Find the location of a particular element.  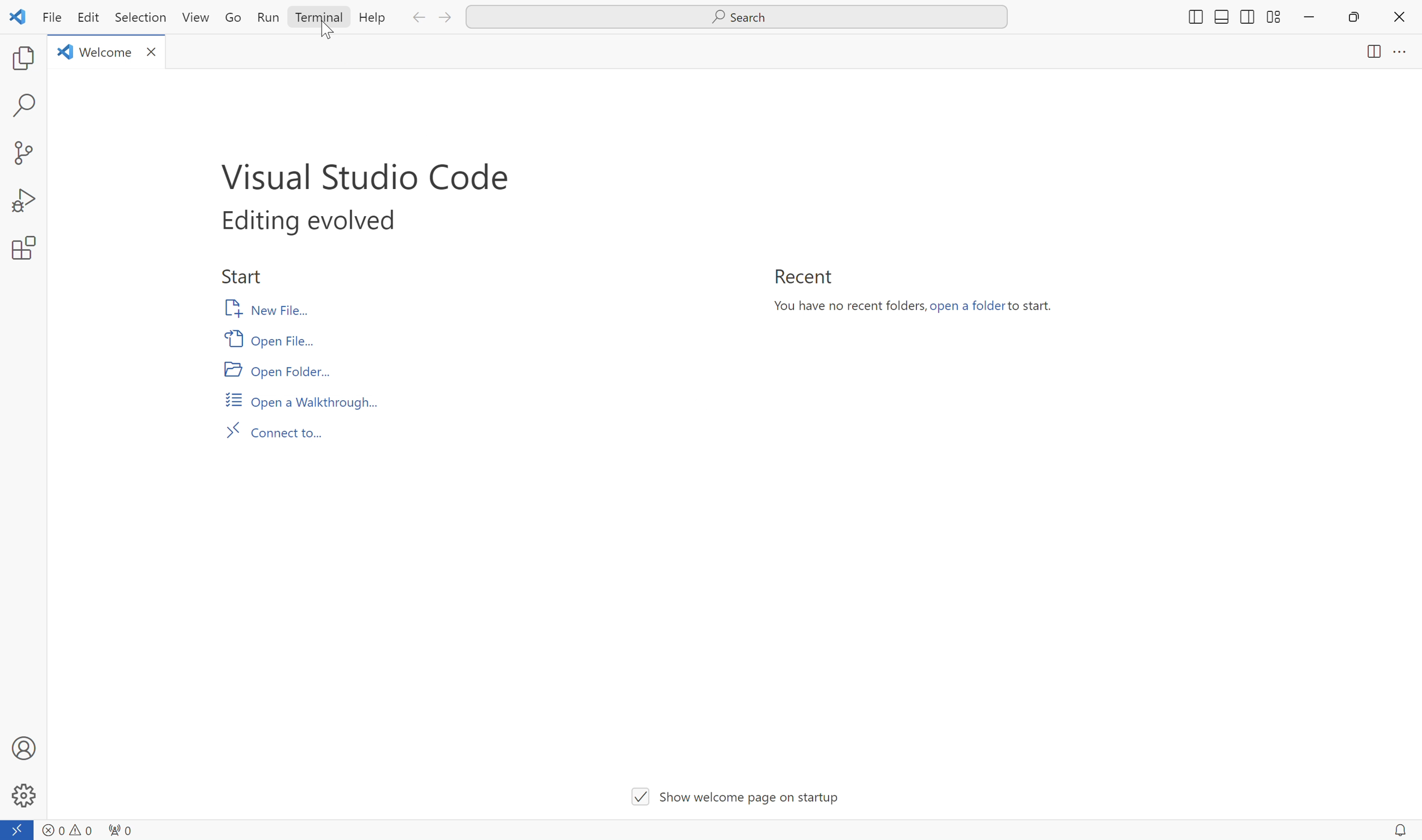

Terminal is located at coordinates (317, 18).